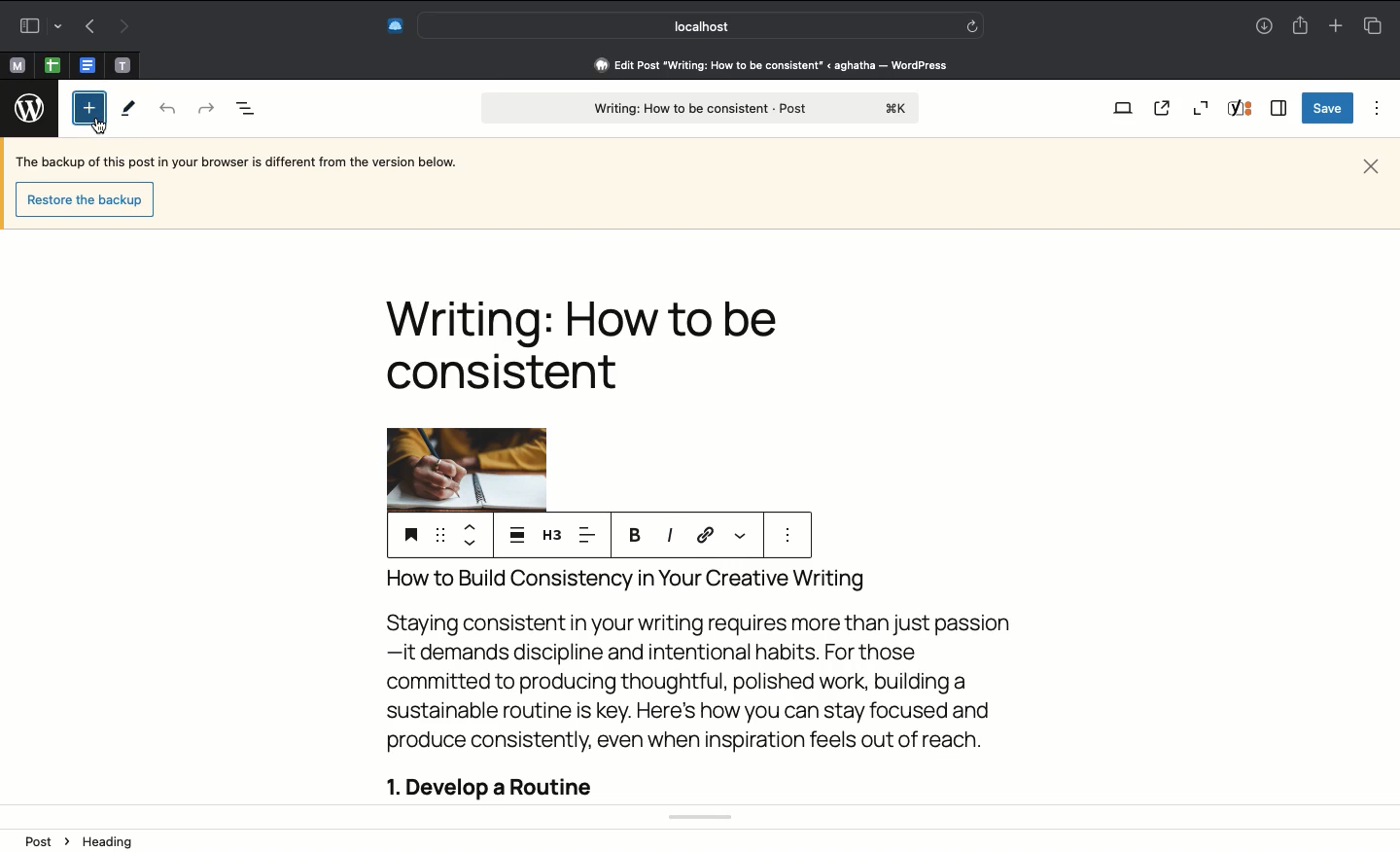 This screenshot has width=1400, height=852. What do you see at coordinates (470, 532) in the screenshot?
I see `Move up move down` at bounding box center [470, 532].